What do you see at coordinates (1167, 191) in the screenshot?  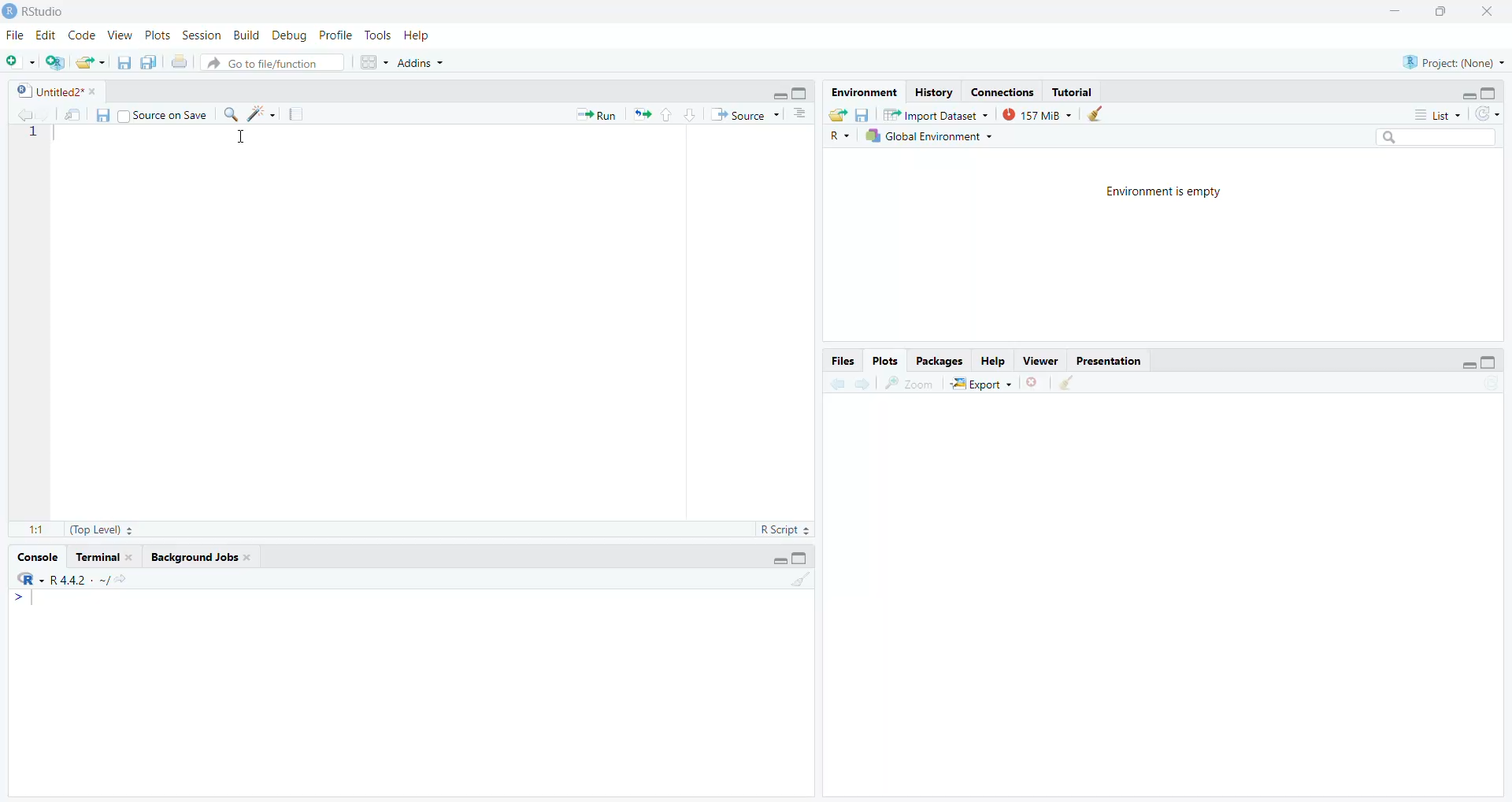 I see `Environment is empty` at bounding box center [1167, 191].